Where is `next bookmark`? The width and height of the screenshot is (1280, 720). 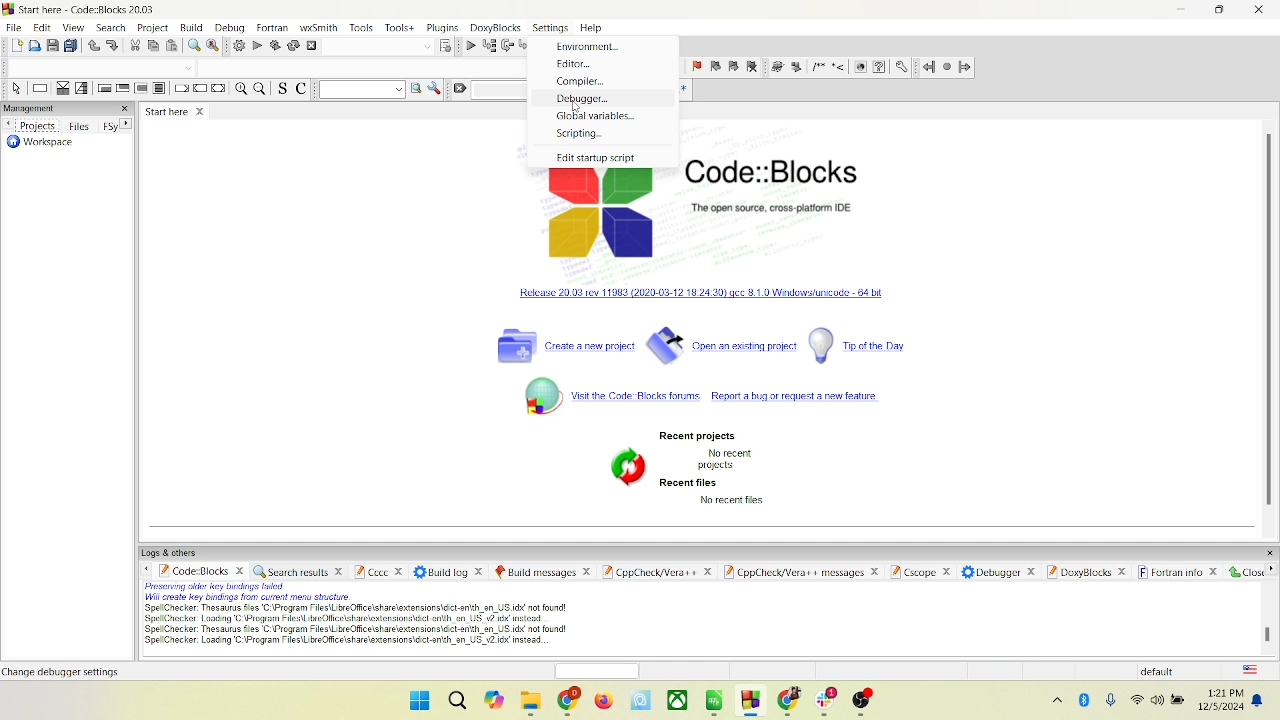 next bookmark is located at coordinates (733, 67).